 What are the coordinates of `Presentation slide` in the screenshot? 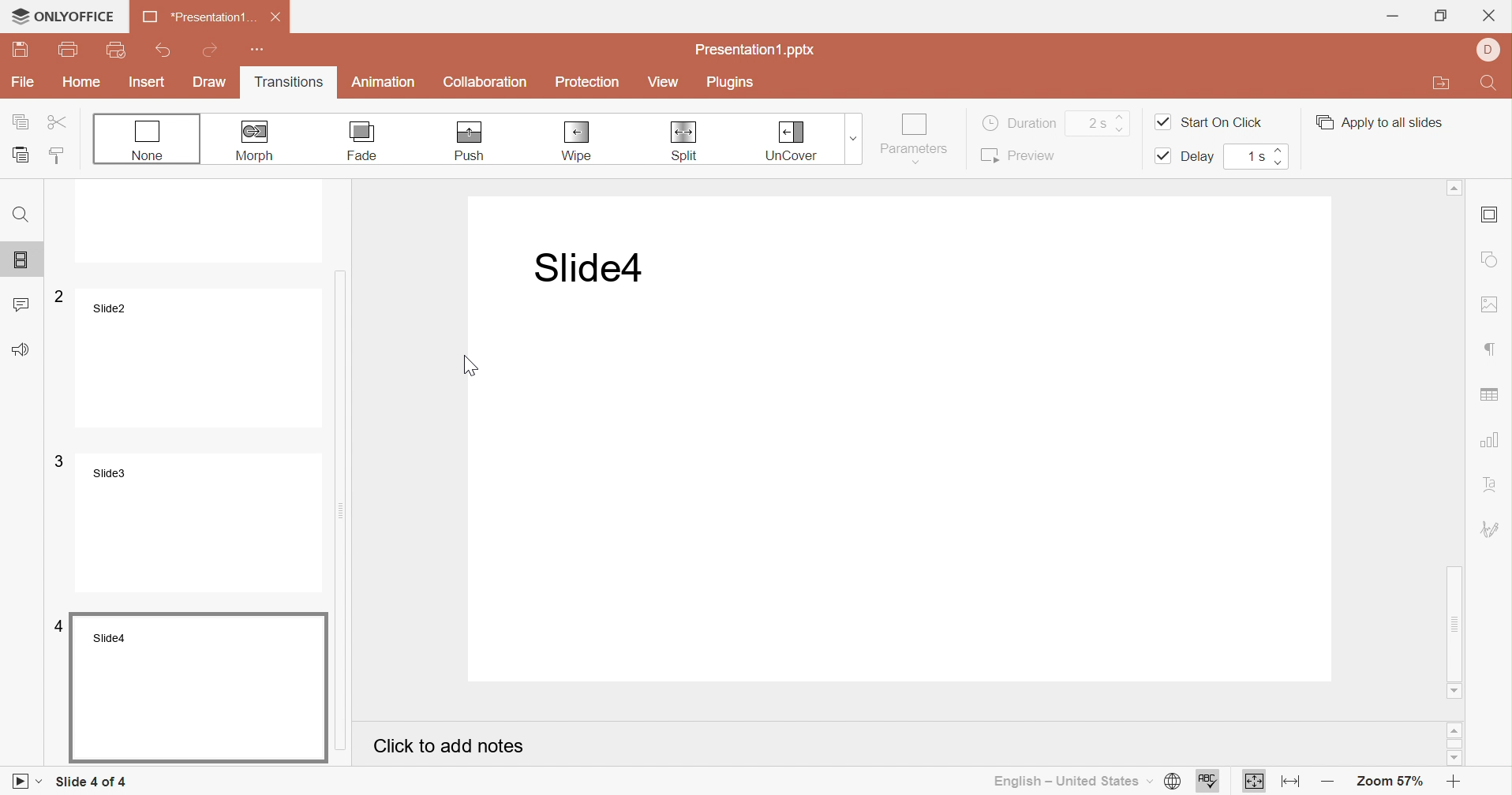 It's located at (908, 480).